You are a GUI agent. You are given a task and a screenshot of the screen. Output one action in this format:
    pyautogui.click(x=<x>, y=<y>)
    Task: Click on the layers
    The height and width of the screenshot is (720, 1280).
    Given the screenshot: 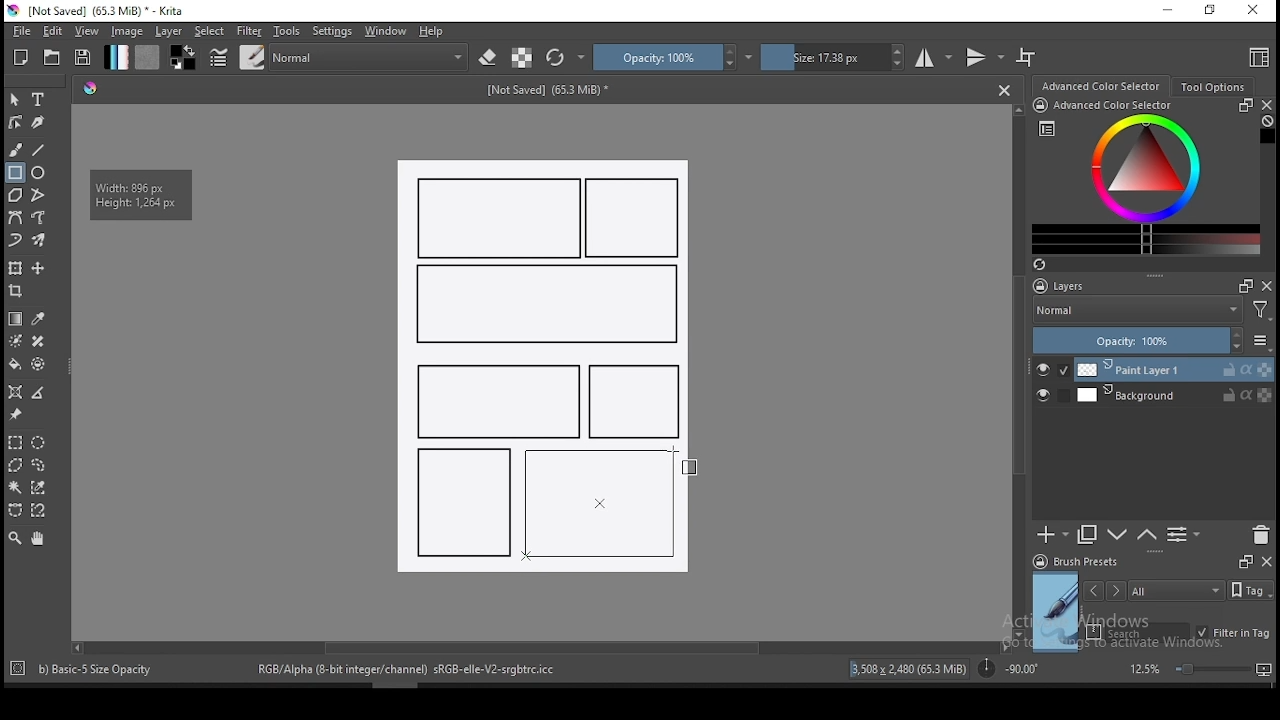 What is the action you would take?
    pyautogui.click(x=1065, y=287)
    